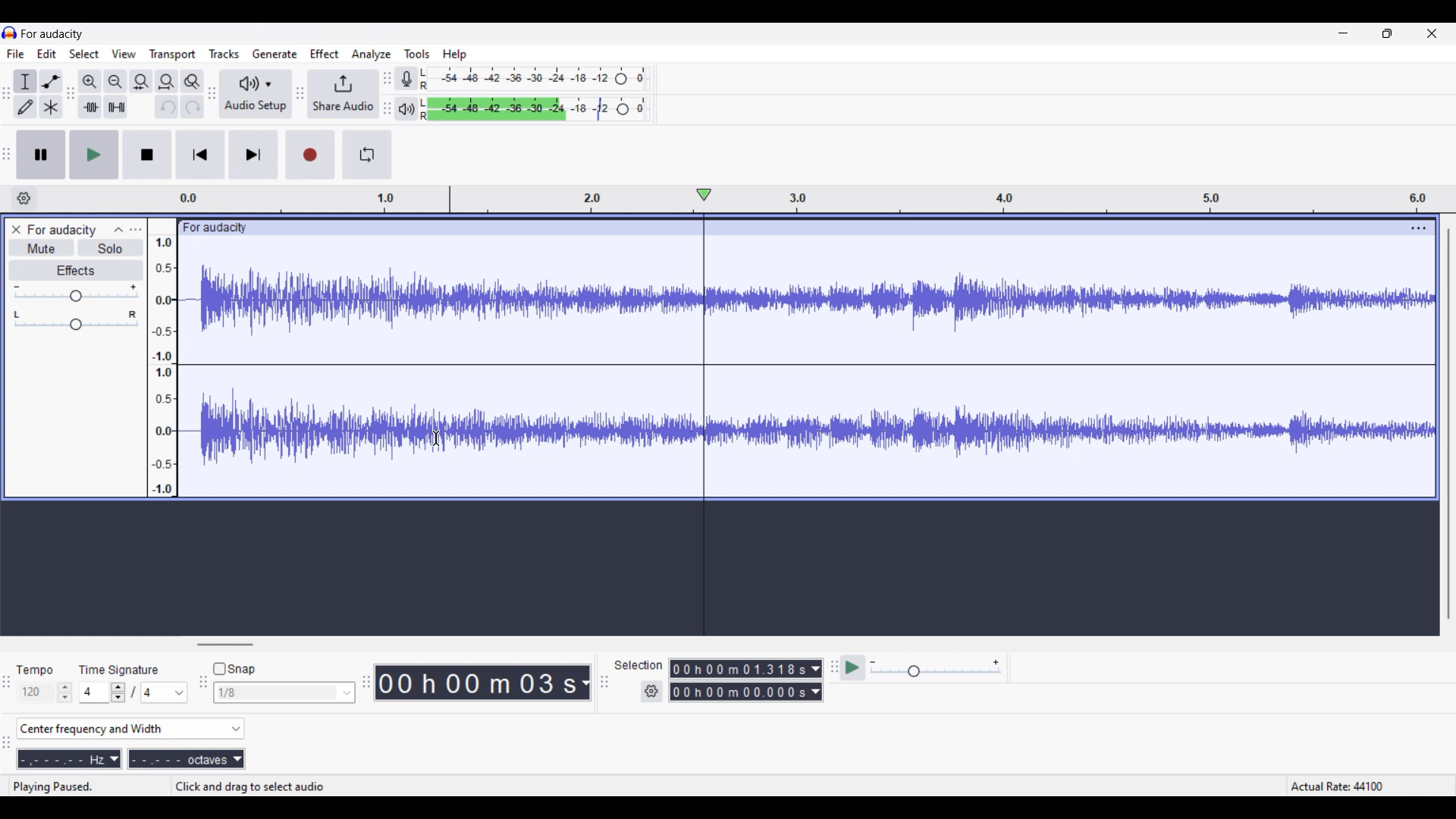 The image size is (1456, 819). Describe the element at coordinates (121, 670) in the screenshot. I see `Indicates Time Signature settings` at that location.